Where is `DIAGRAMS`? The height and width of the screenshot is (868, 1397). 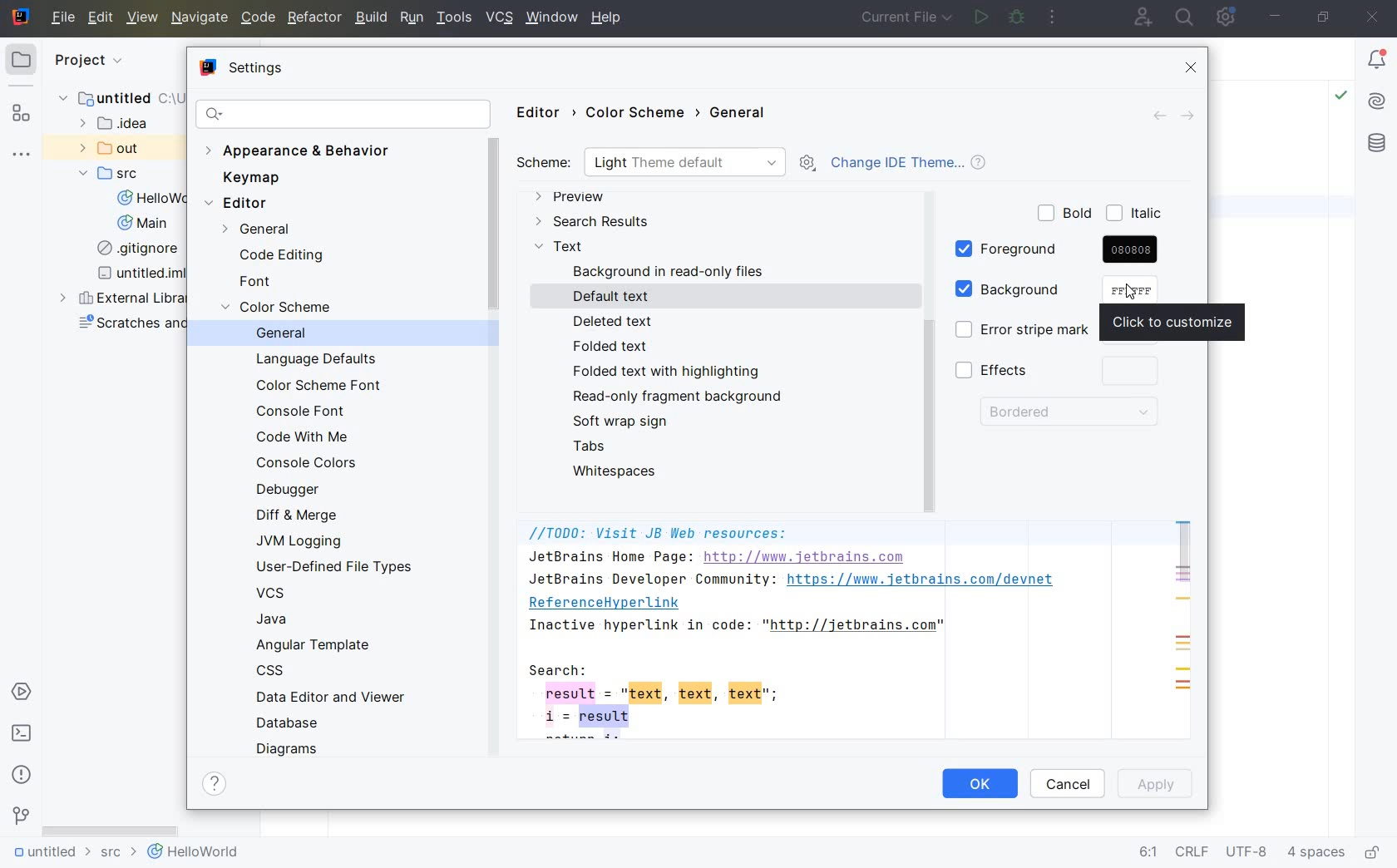
DIAGRAMS is located at coordinates (289, 748).